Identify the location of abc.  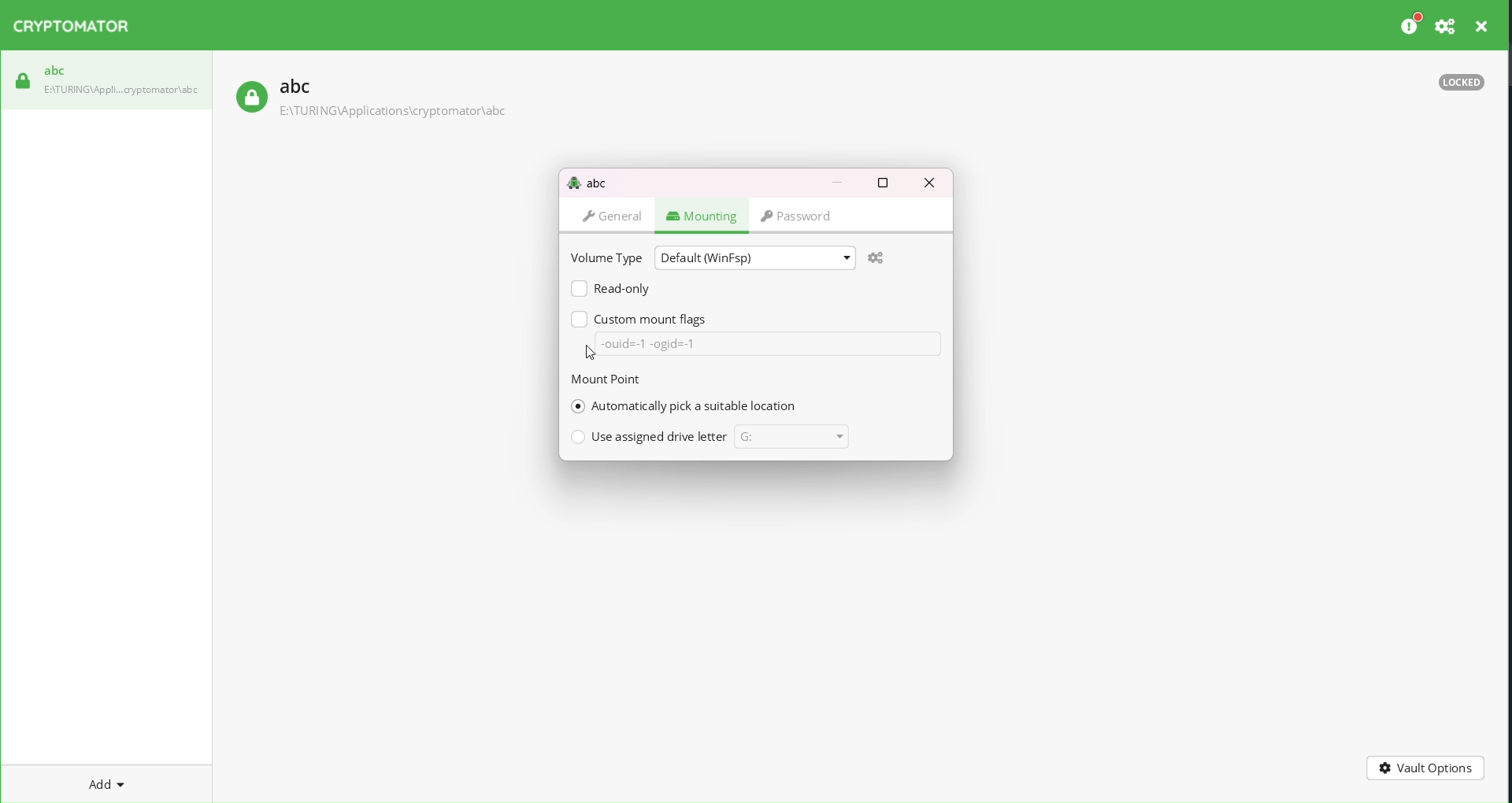
(587, 181).